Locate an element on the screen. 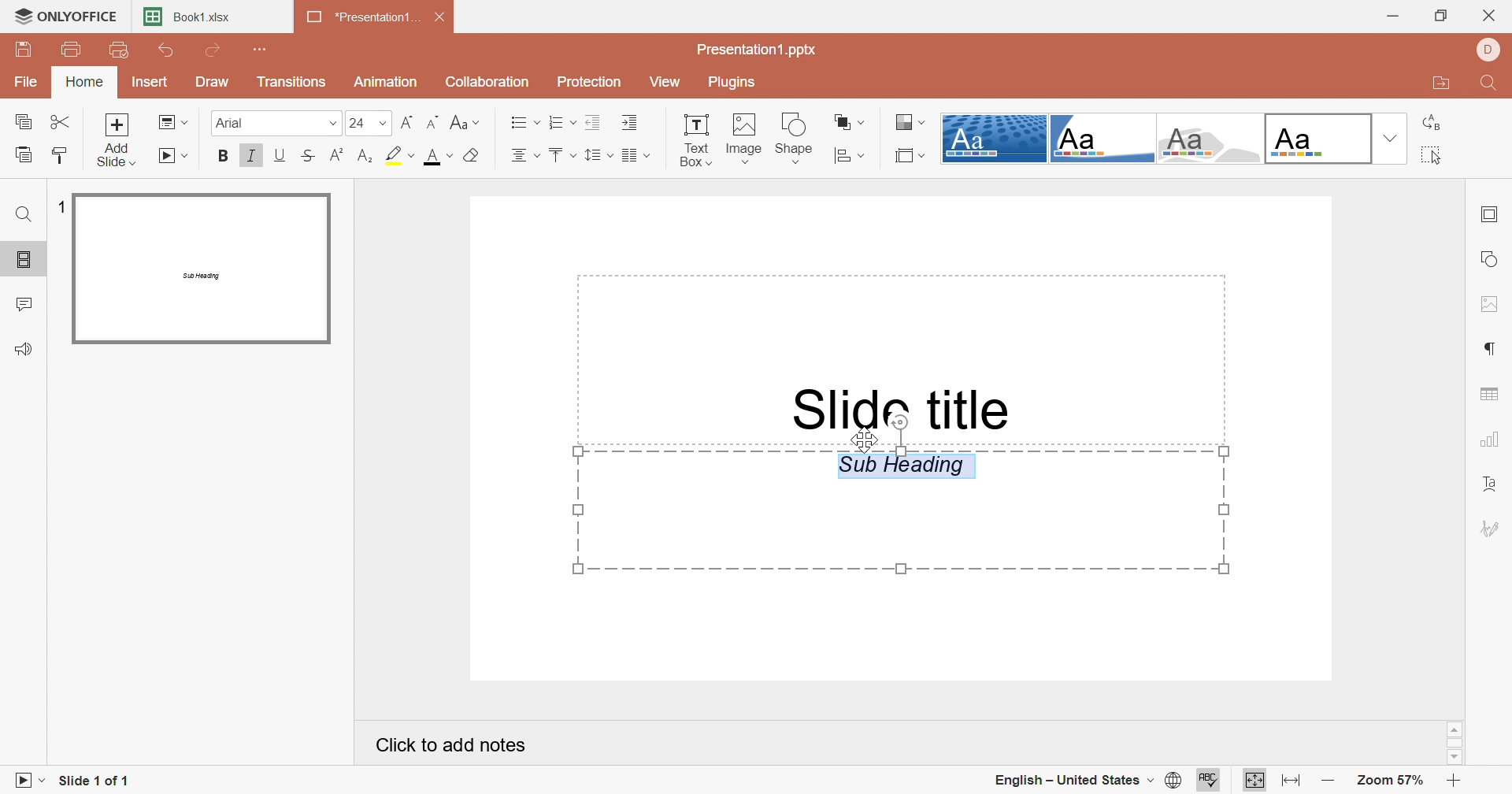  Drop Down is located at coordinates (1392, 138).